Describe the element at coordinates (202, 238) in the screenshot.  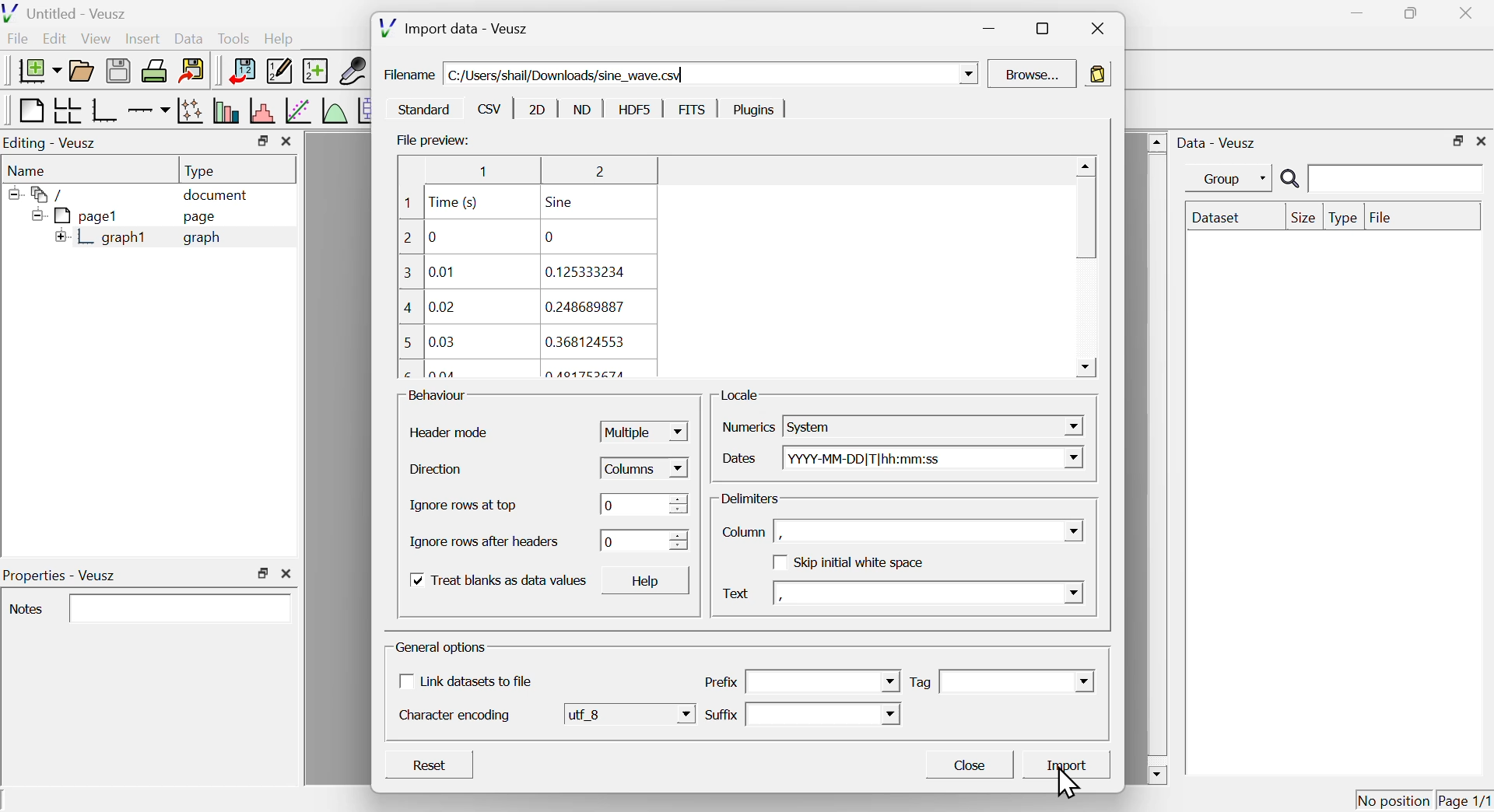
I see `graph` at that location.